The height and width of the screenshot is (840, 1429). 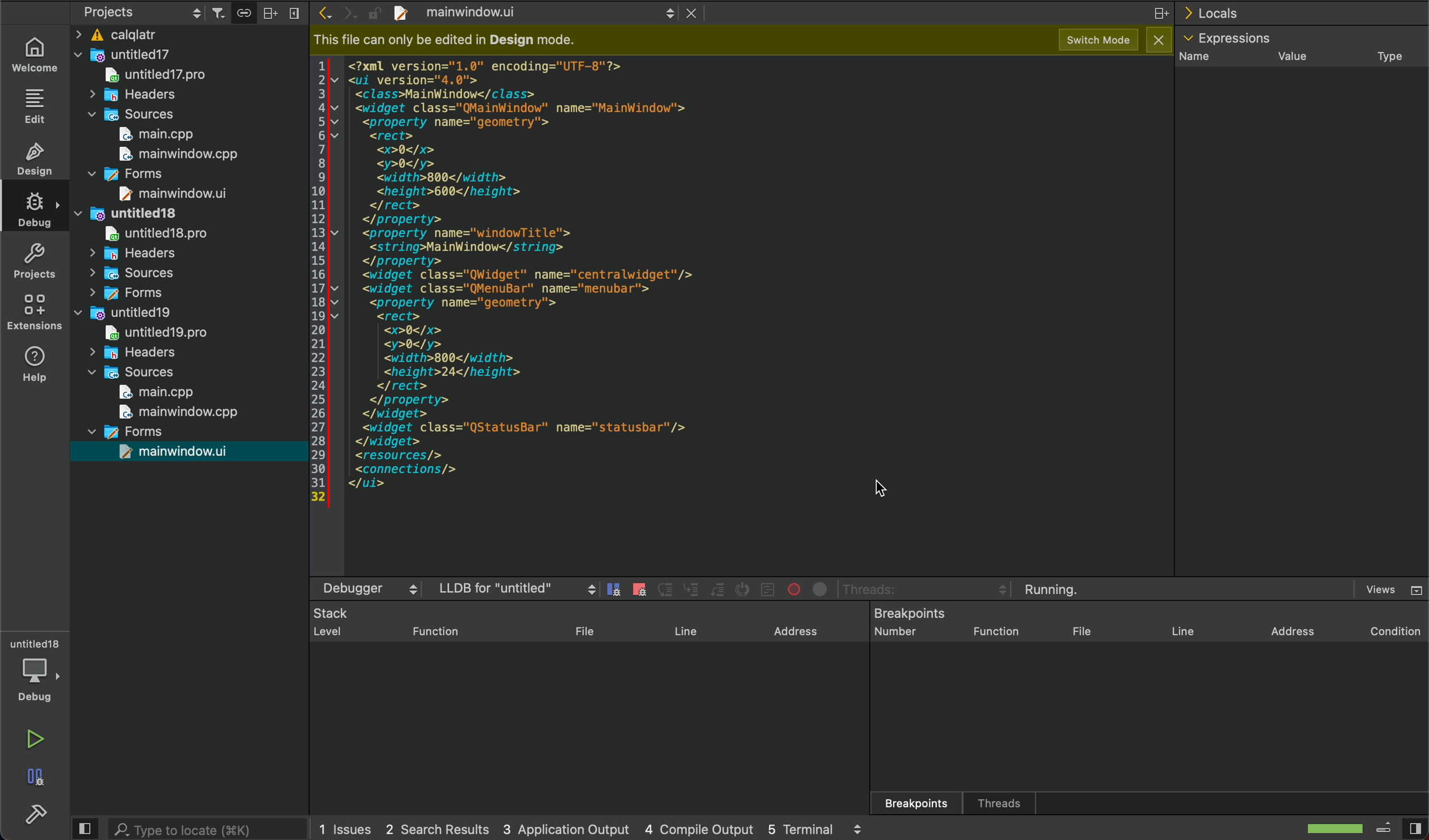 What do you see at coordinates (132, 294) in the screenshot?
I see `forms` at bounding box center [132, 294].